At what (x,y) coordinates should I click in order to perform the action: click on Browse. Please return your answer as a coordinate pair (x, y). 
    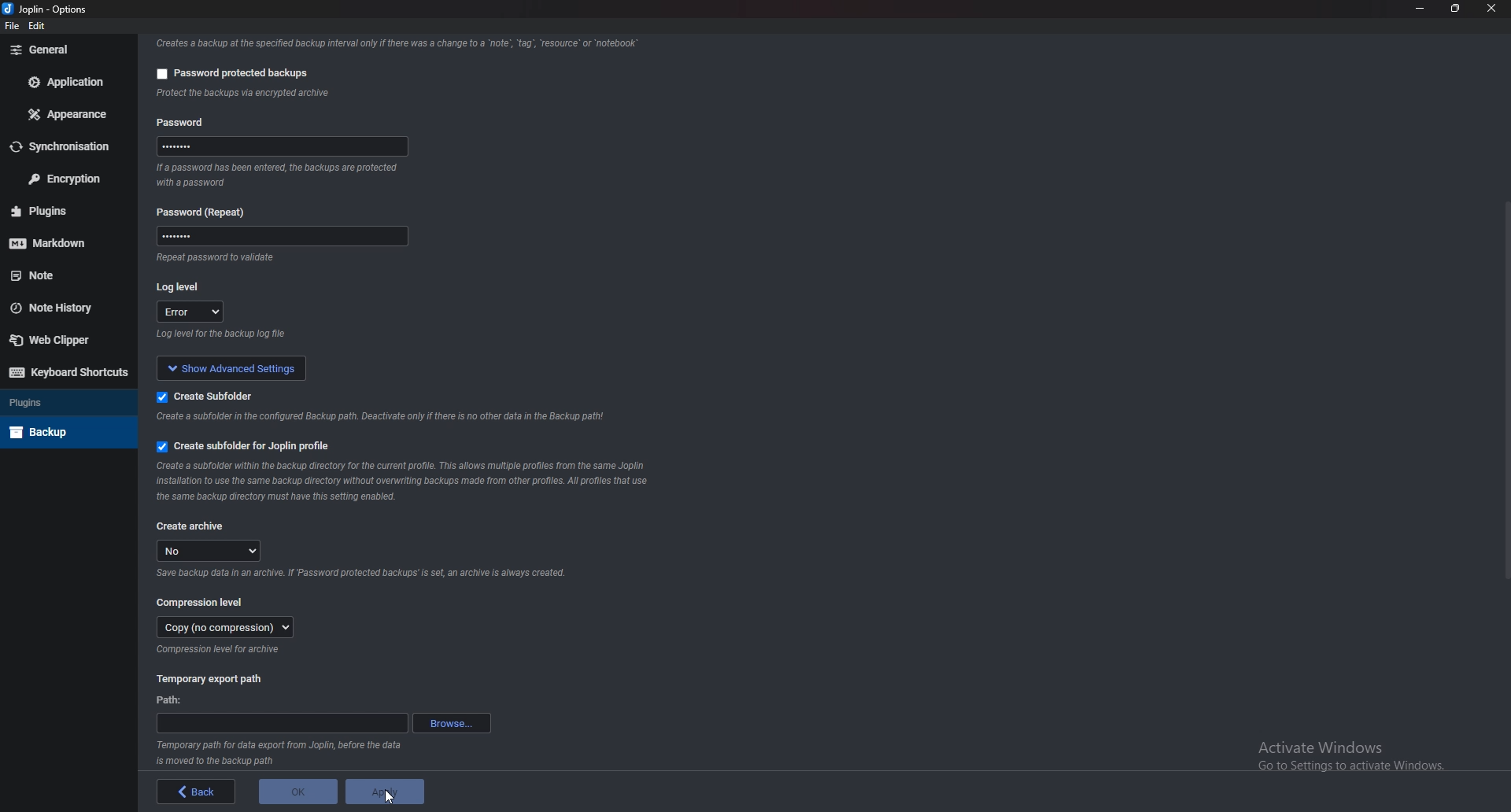
    Looking at the image, I should click on (451, 723).